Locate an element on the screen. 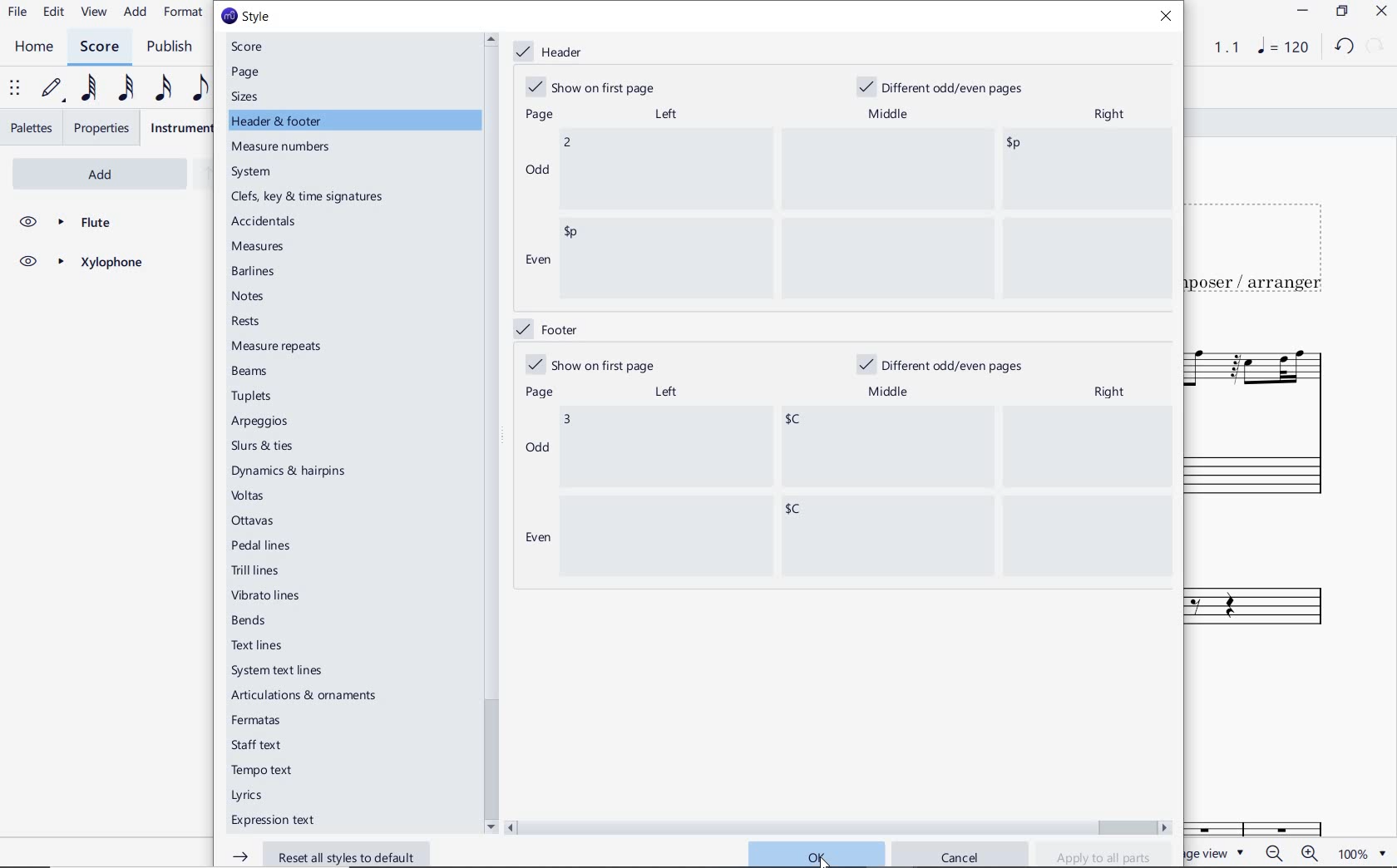 Image resolution: width=1397 pixels, height=868 pixels. arpeggios is located at coordinates (260, 422).